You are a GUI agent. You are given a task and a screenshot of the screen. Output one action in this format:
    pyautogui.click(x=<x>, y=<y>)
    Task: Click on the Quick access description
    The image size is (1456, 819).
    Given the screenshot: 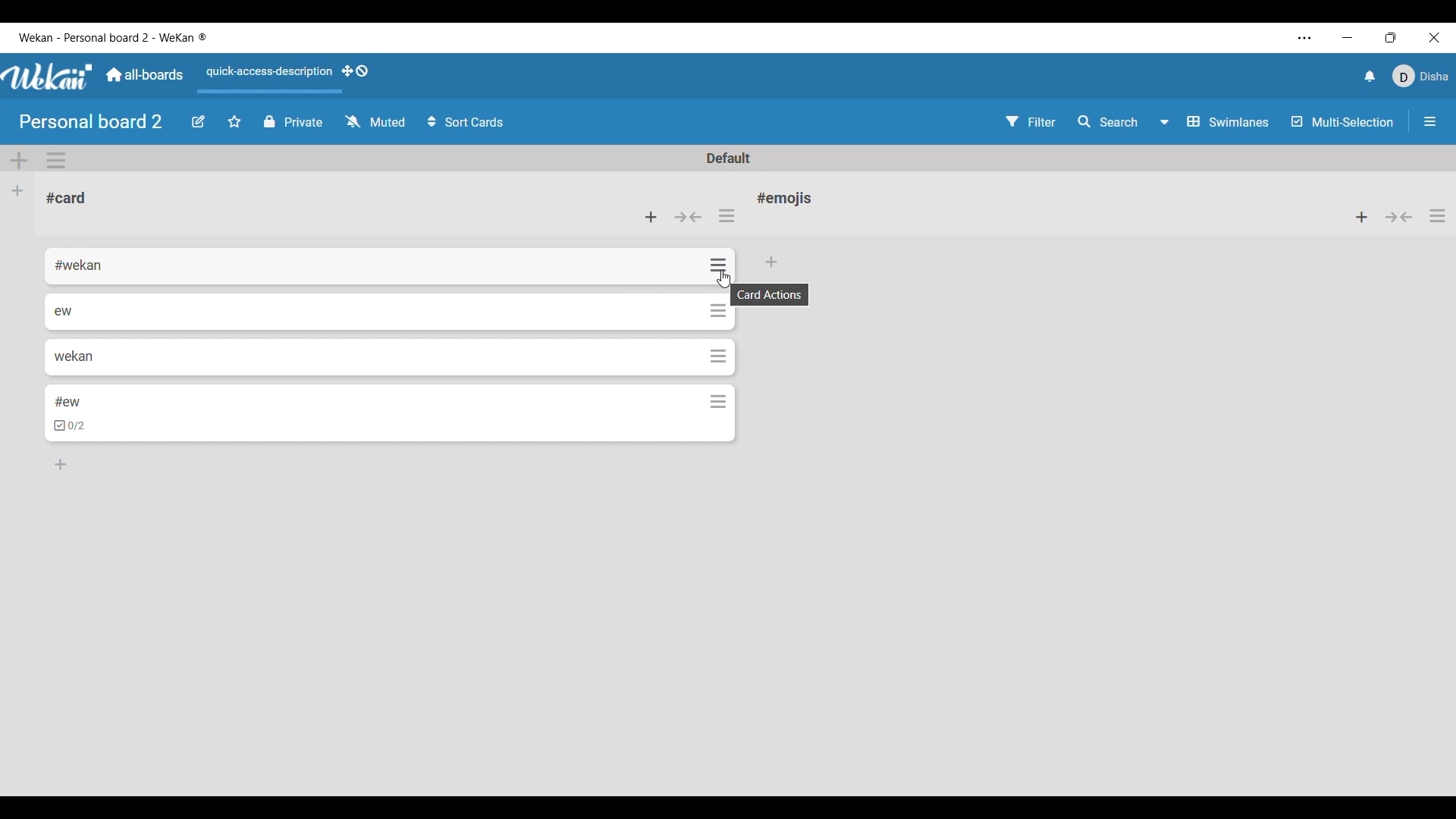 What is the action you would take?
    pyautogui.click(x=267, y=72)
    